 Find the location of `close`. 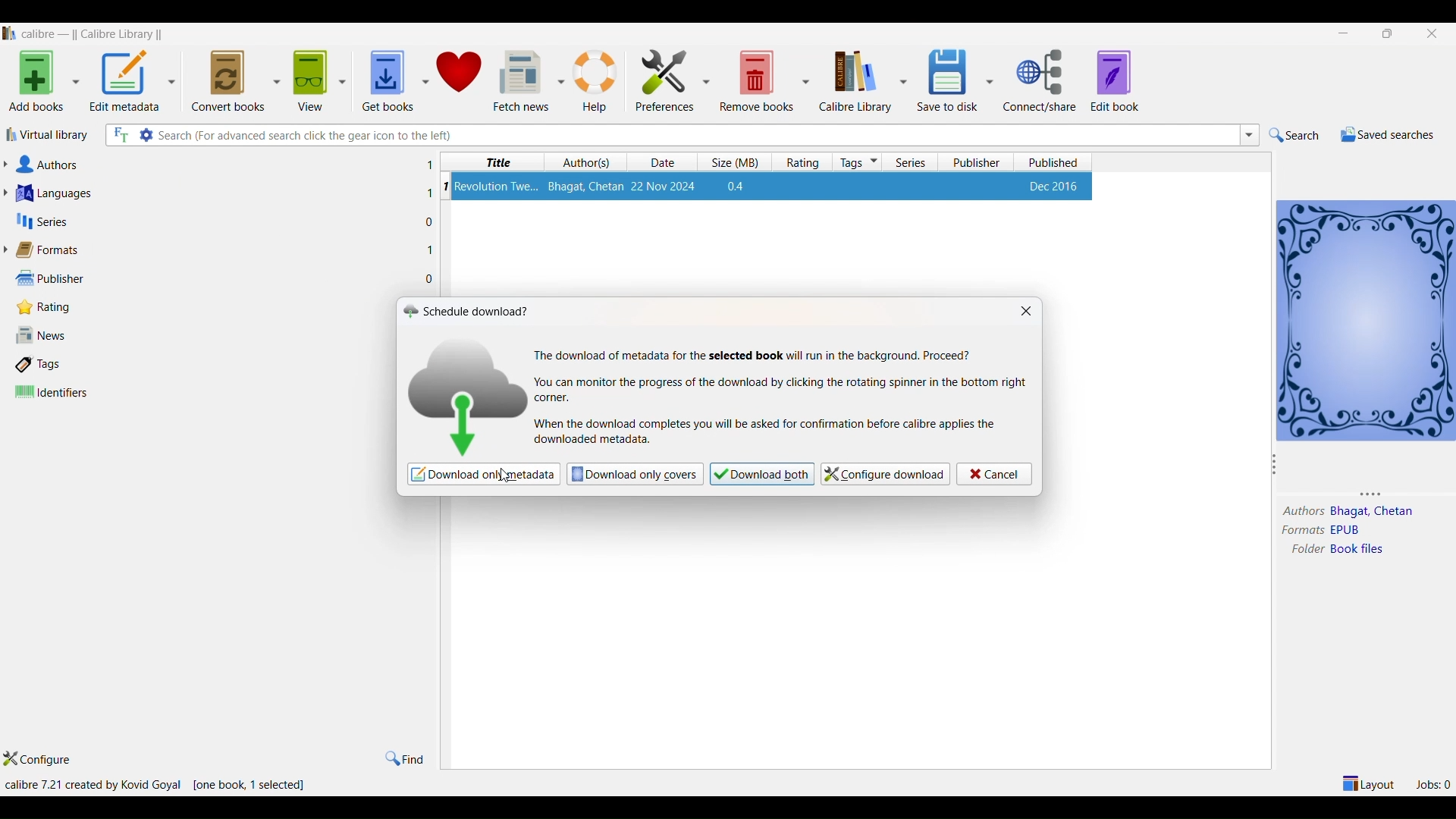

close is located at coordinates (1028, 312).